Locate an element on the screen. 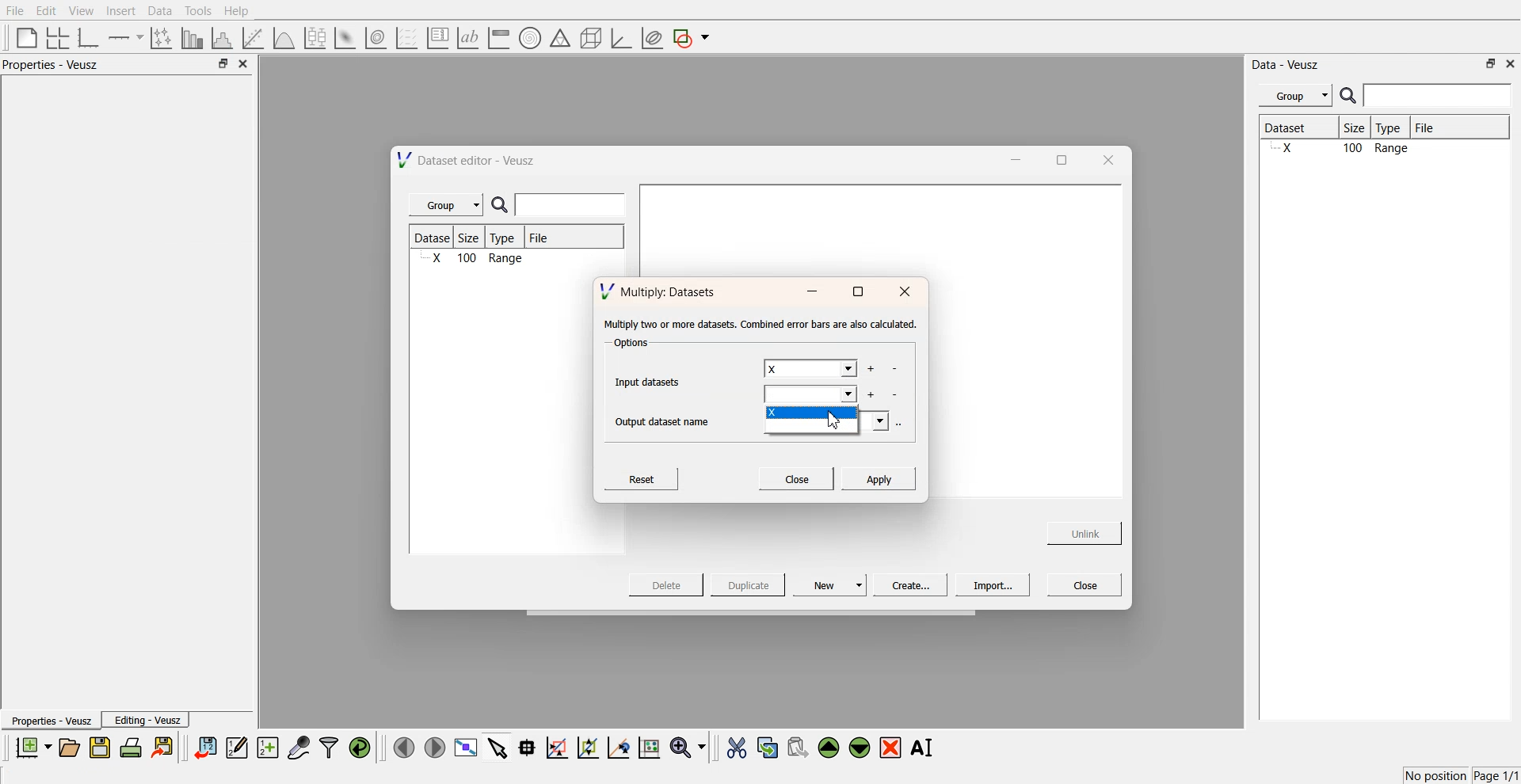  recenter the graph axes is located at coordinates (618, 747).